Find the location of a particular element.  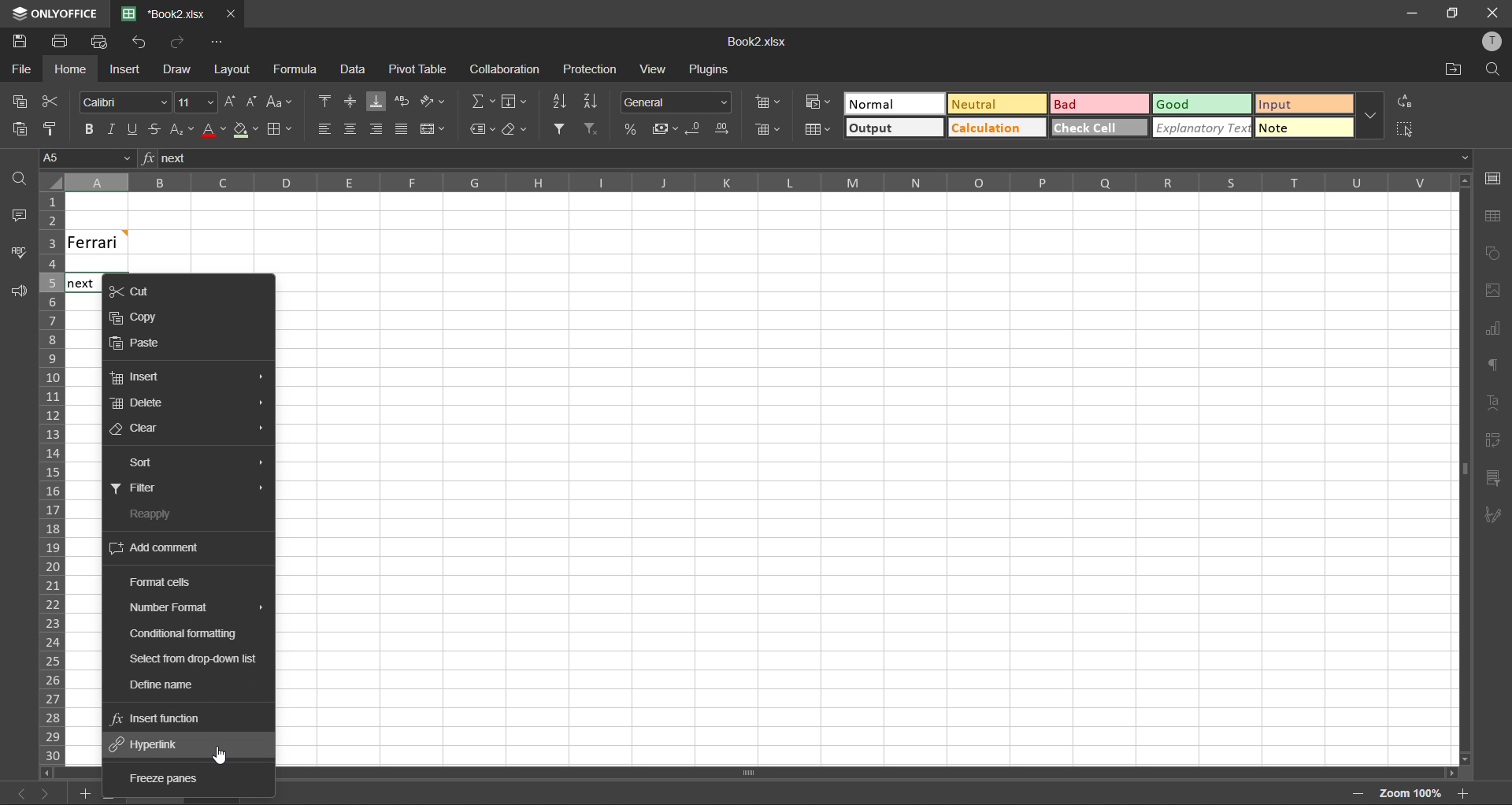

hyperlink is located at coordinates (150, 744).